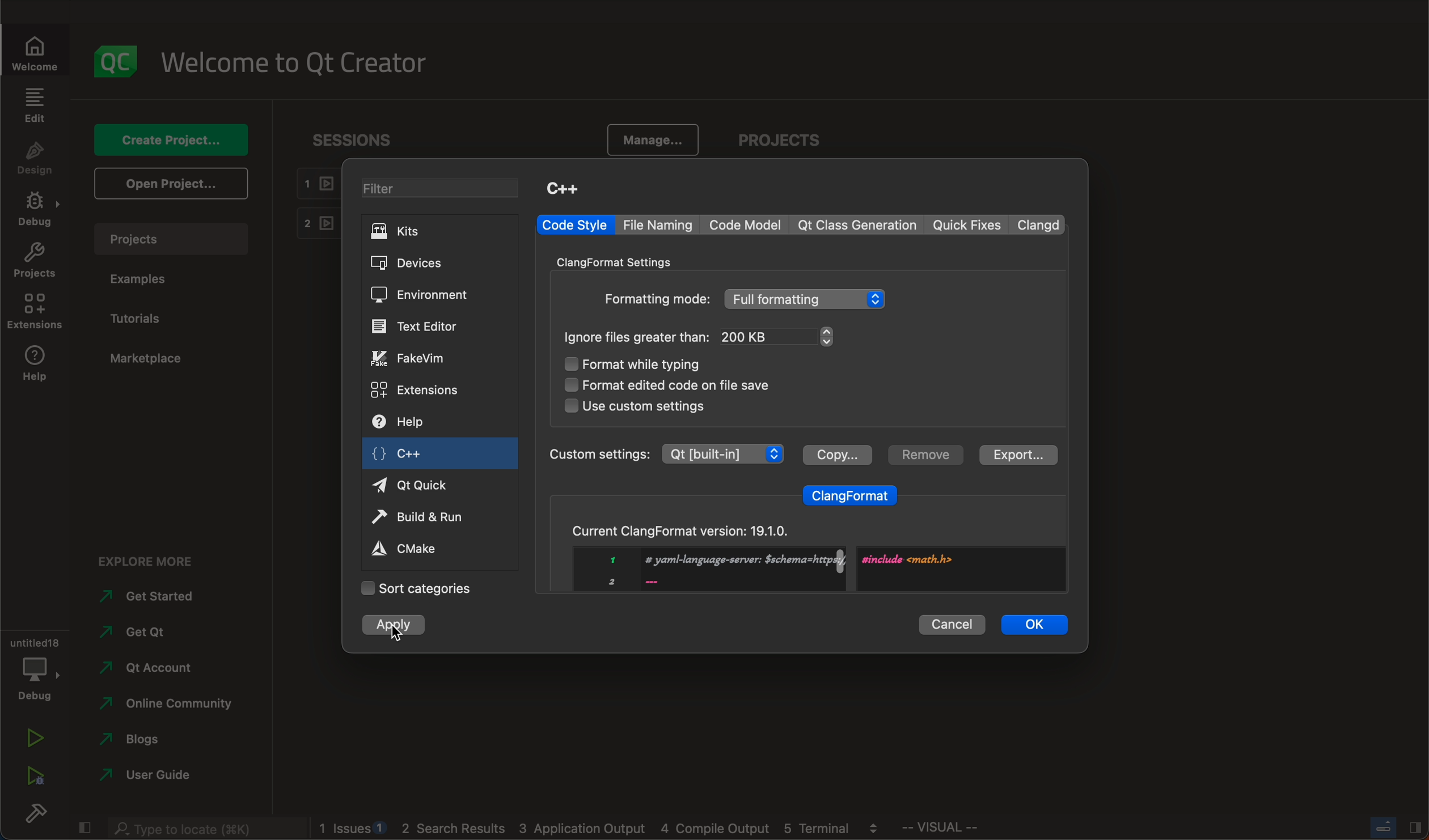 The width and height of the screenshot is (1429, 840). Describe the element at coordinates (168, 183) in the screenshot. I see `open` at that location.